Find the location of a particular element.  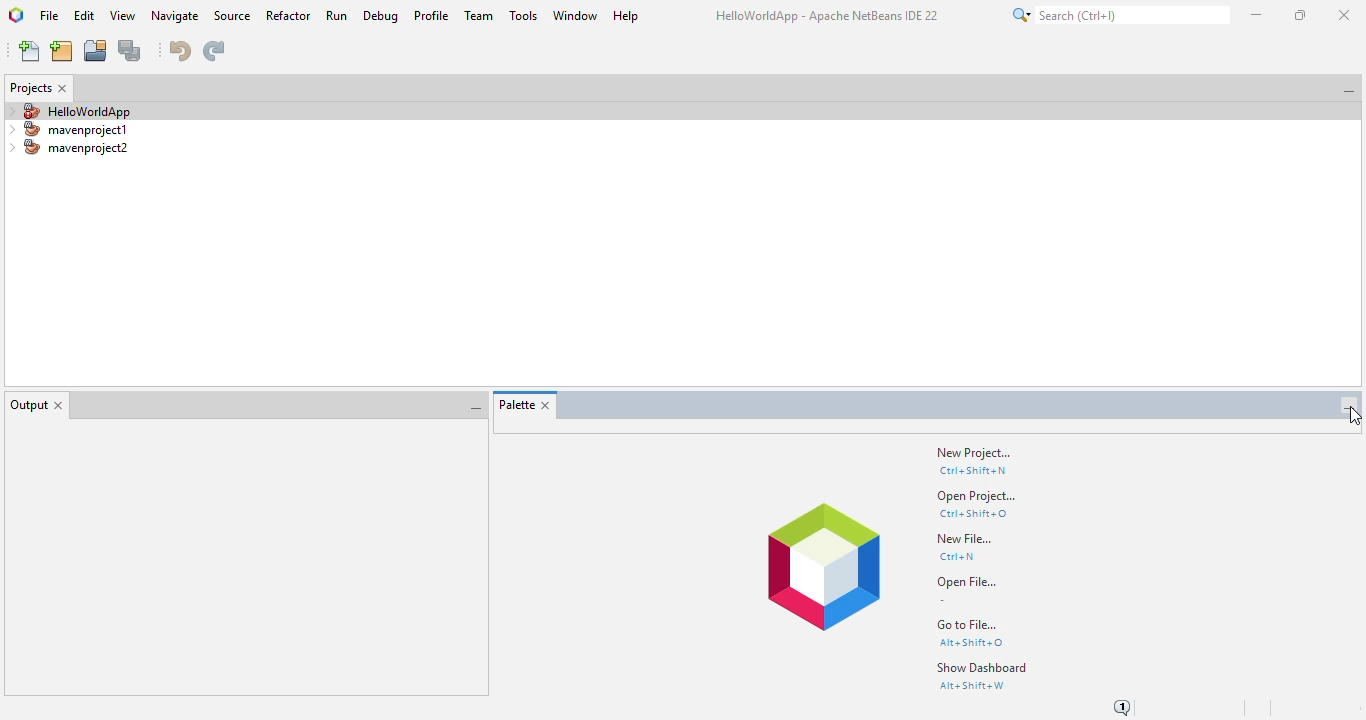

search is located at coordinates (1119, 15).